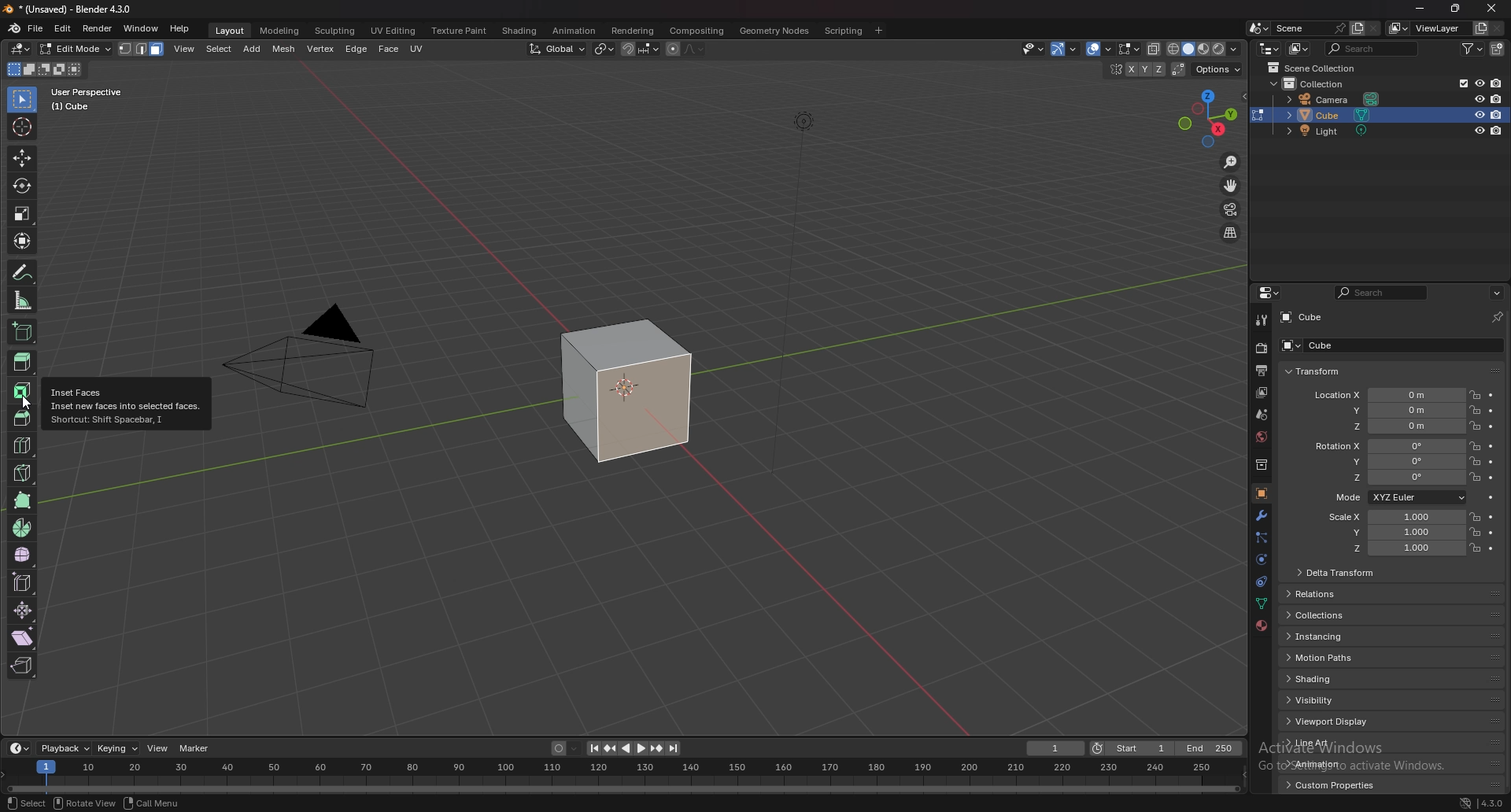  Describe the element at coordinates (393, 31) in the screenshot. I see `uv editing` at that location.